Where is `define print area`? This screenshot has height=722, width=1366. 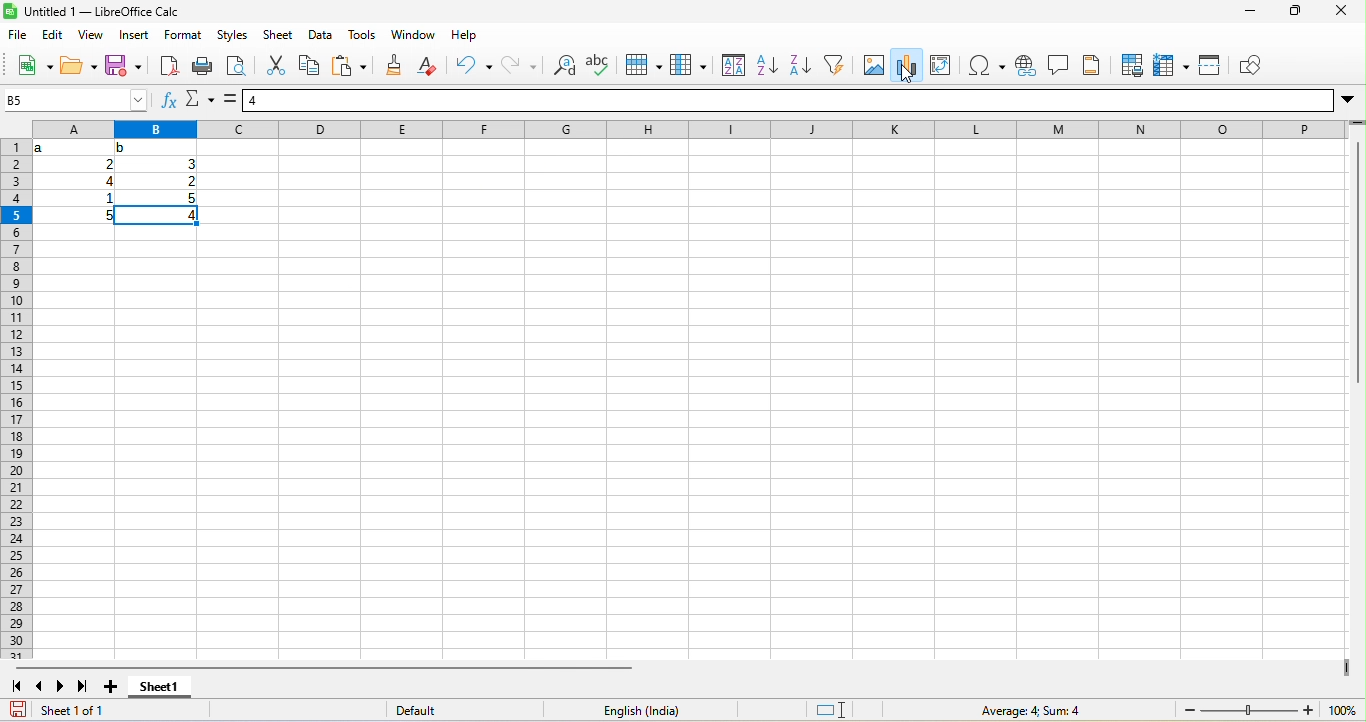
define print area is located at coordinates (1132, 66).